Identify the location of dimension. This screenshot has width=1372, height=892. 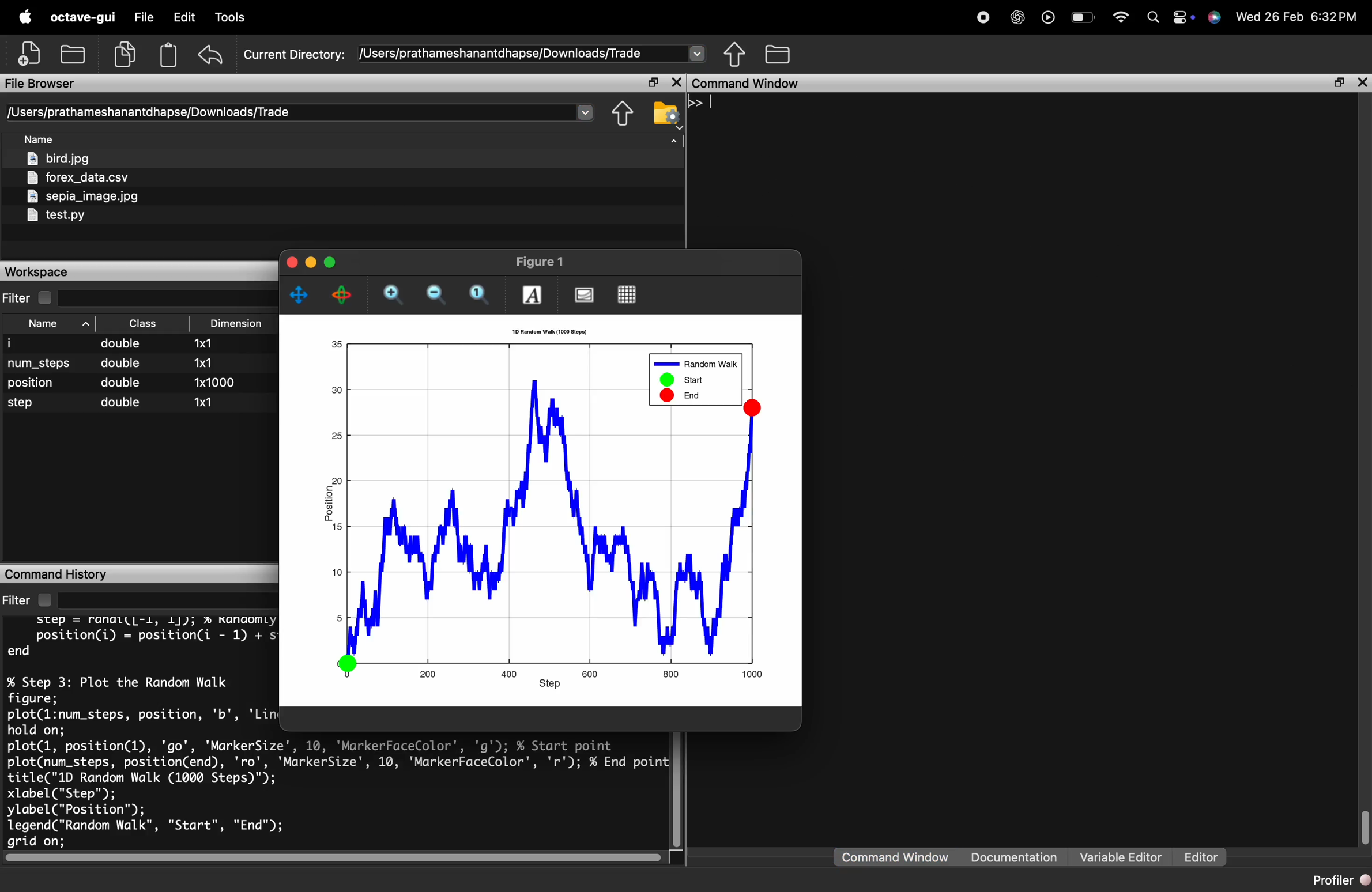
(240, 324).